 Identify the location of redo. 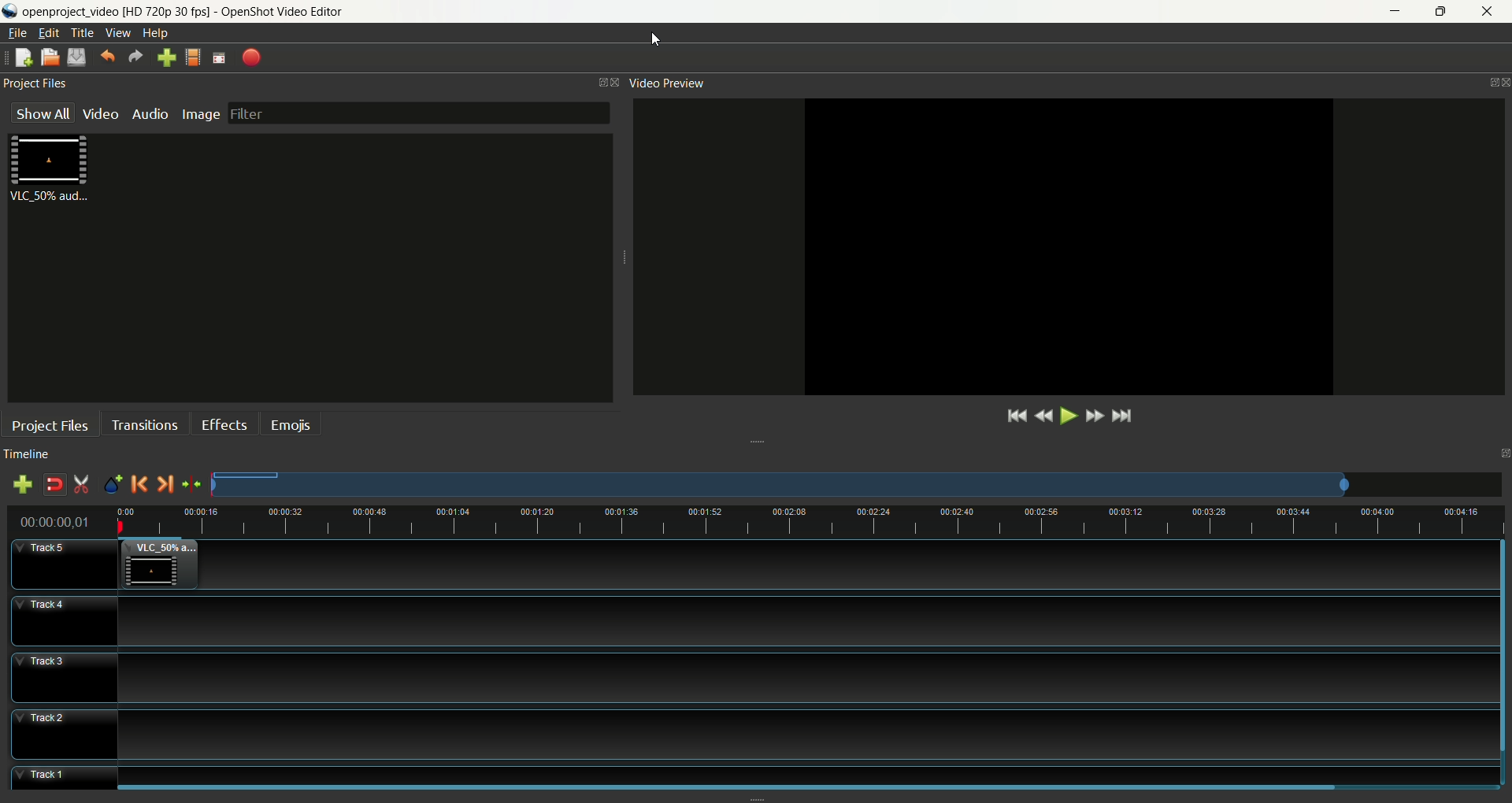
(135, 57).